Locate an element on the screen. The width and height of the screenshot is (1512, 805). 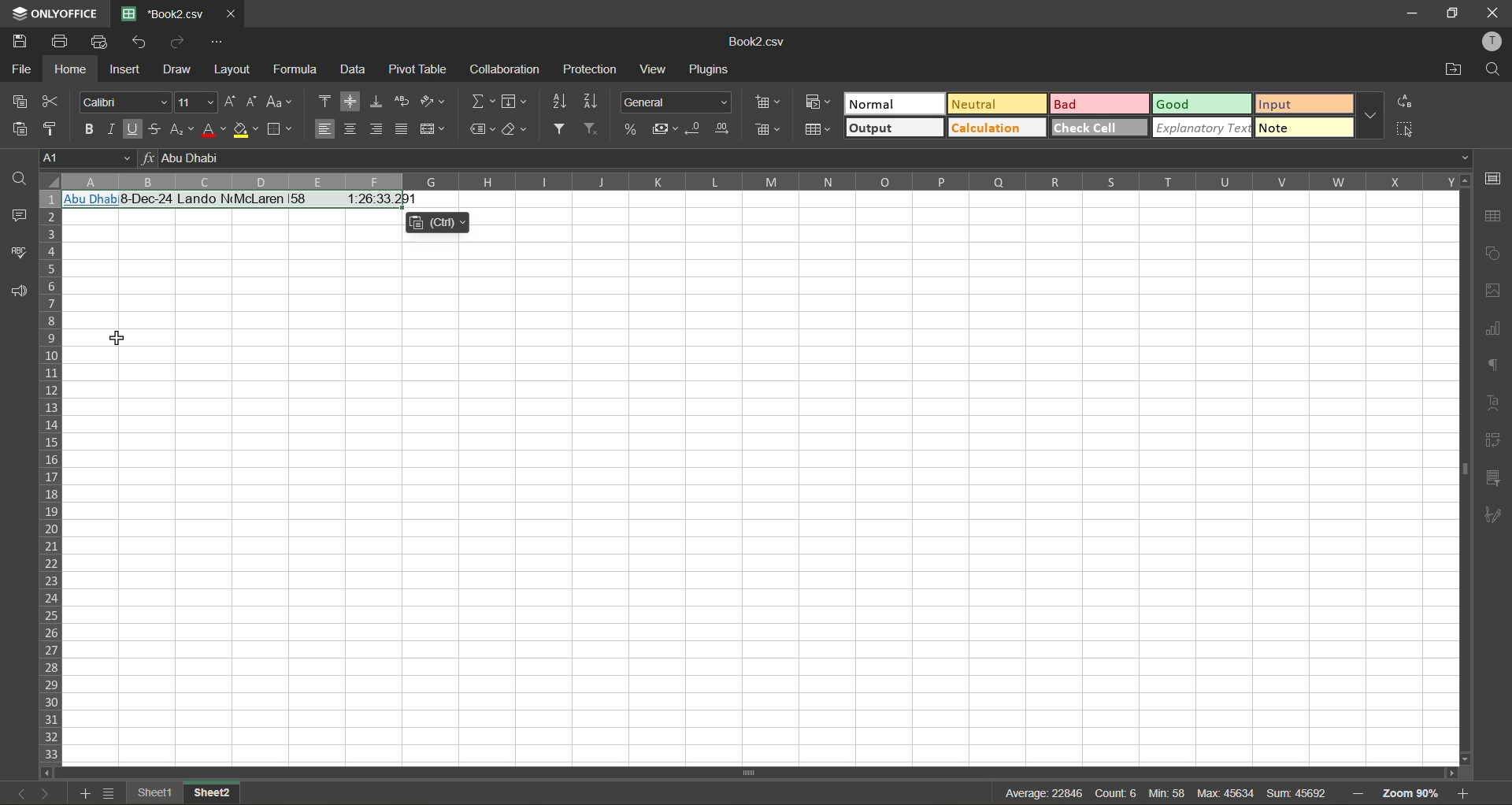
cell address is located at coordinates (88, 156).